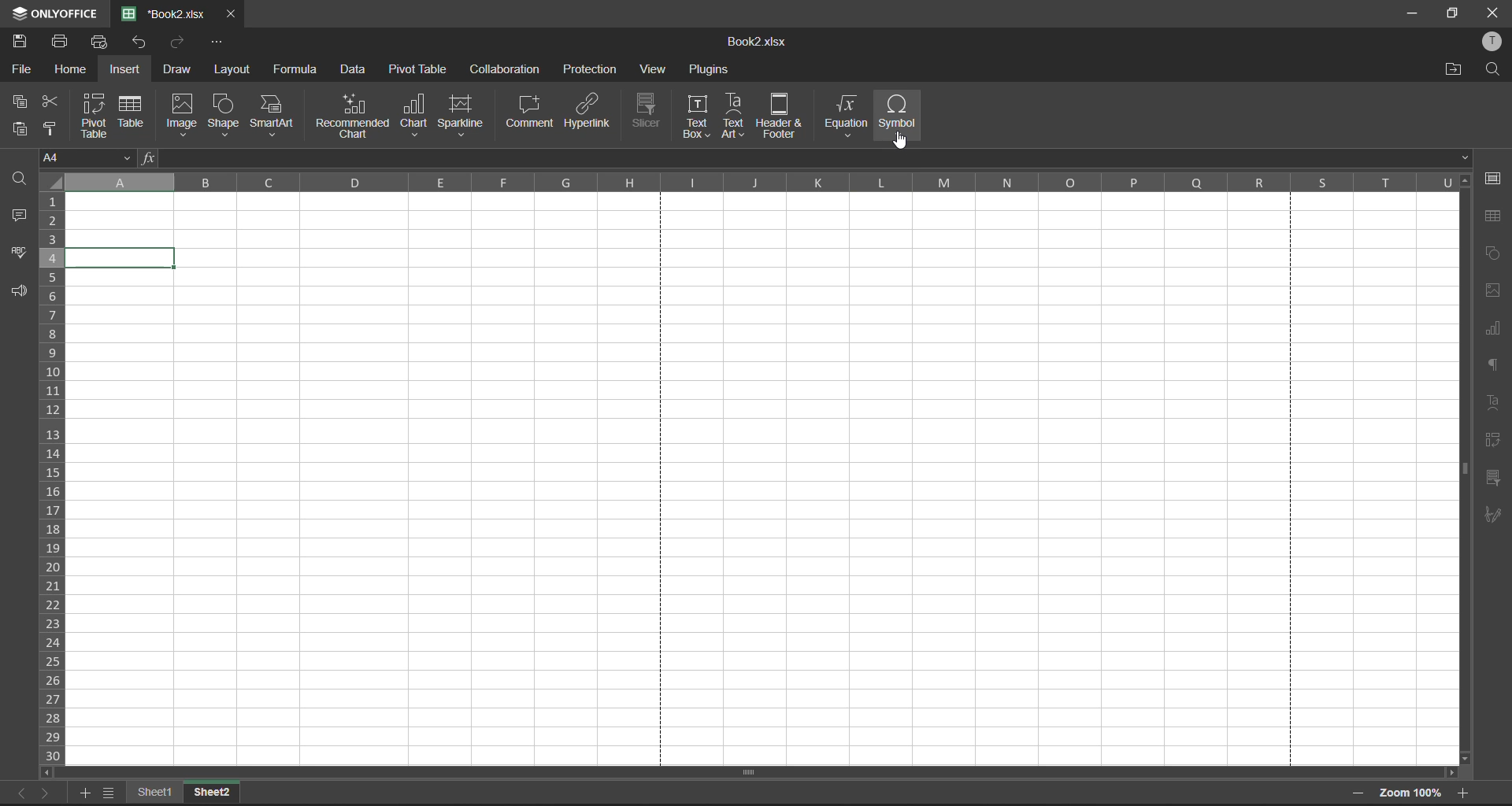 The width and height of the screenshot is (1512, 806). Describe the element at coordinates (51, 102) in the screenshot. I see `cut` at that location.